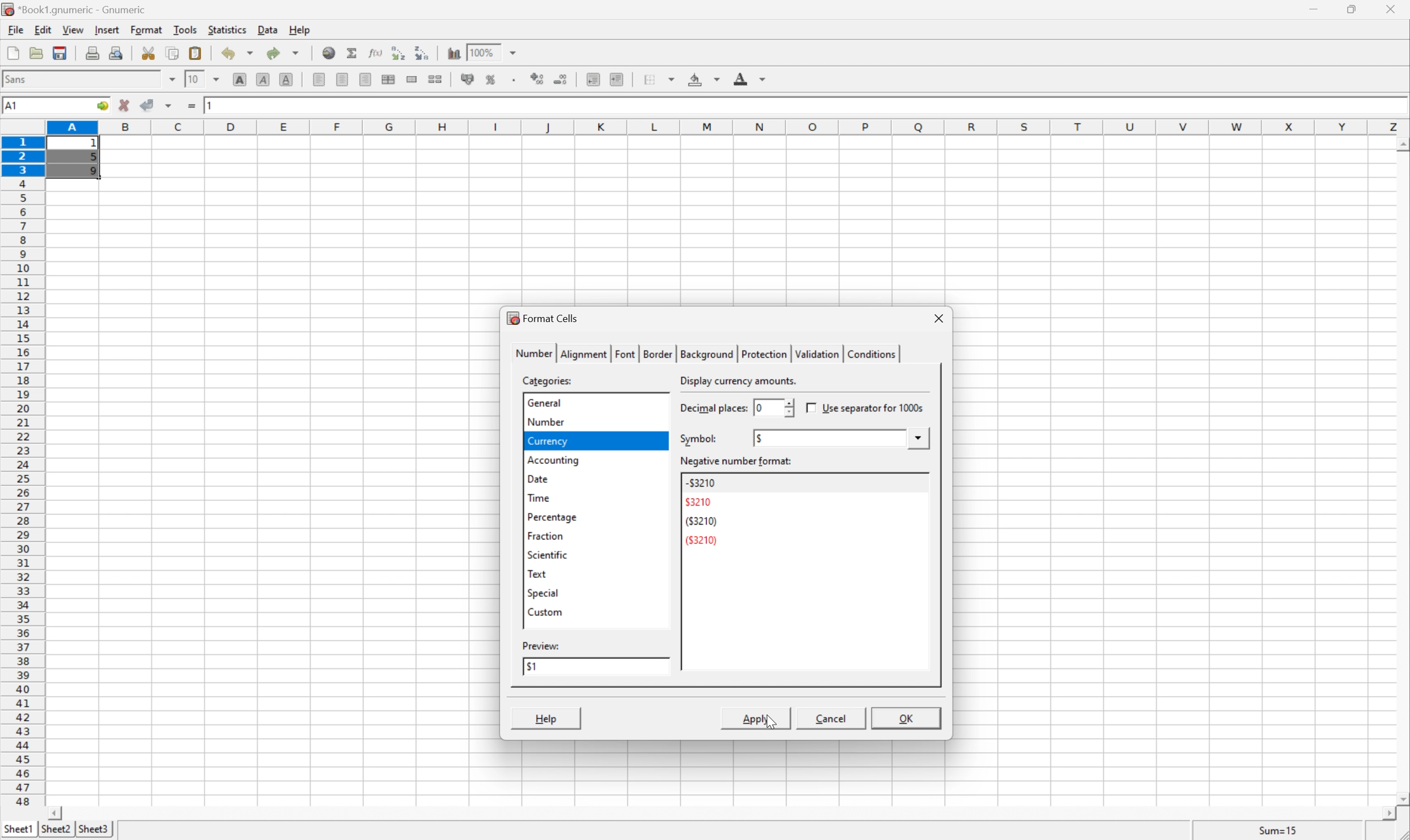 Image resolution: width=1410 pixels, height=840 pixels. What do you see at coordinates (264, 78) in the screenshot?
I see `italic` at bounding box center [264, 78].